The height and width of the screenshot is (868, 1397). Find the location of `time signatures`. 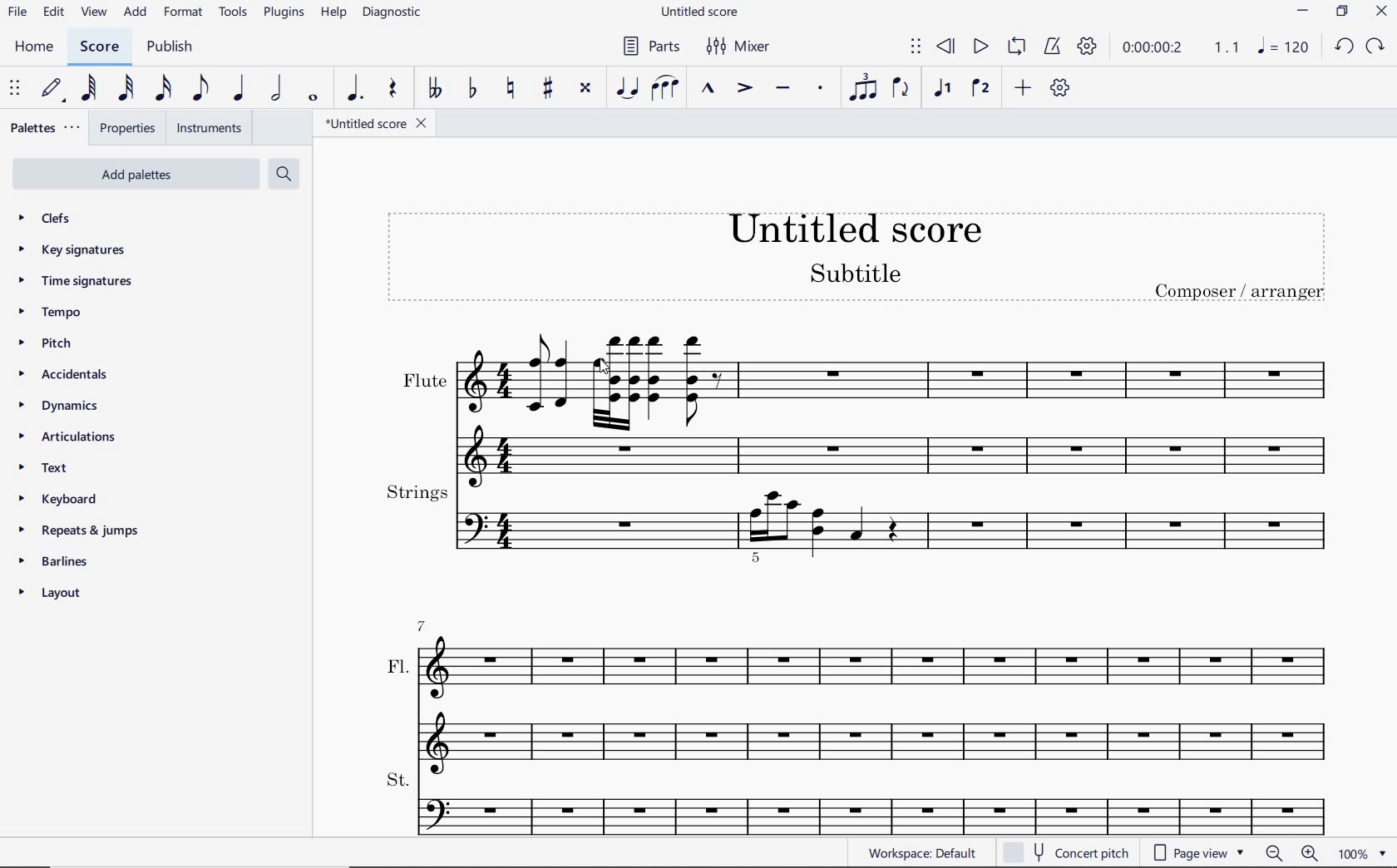

time signatures is located at coordinates (81, 279).